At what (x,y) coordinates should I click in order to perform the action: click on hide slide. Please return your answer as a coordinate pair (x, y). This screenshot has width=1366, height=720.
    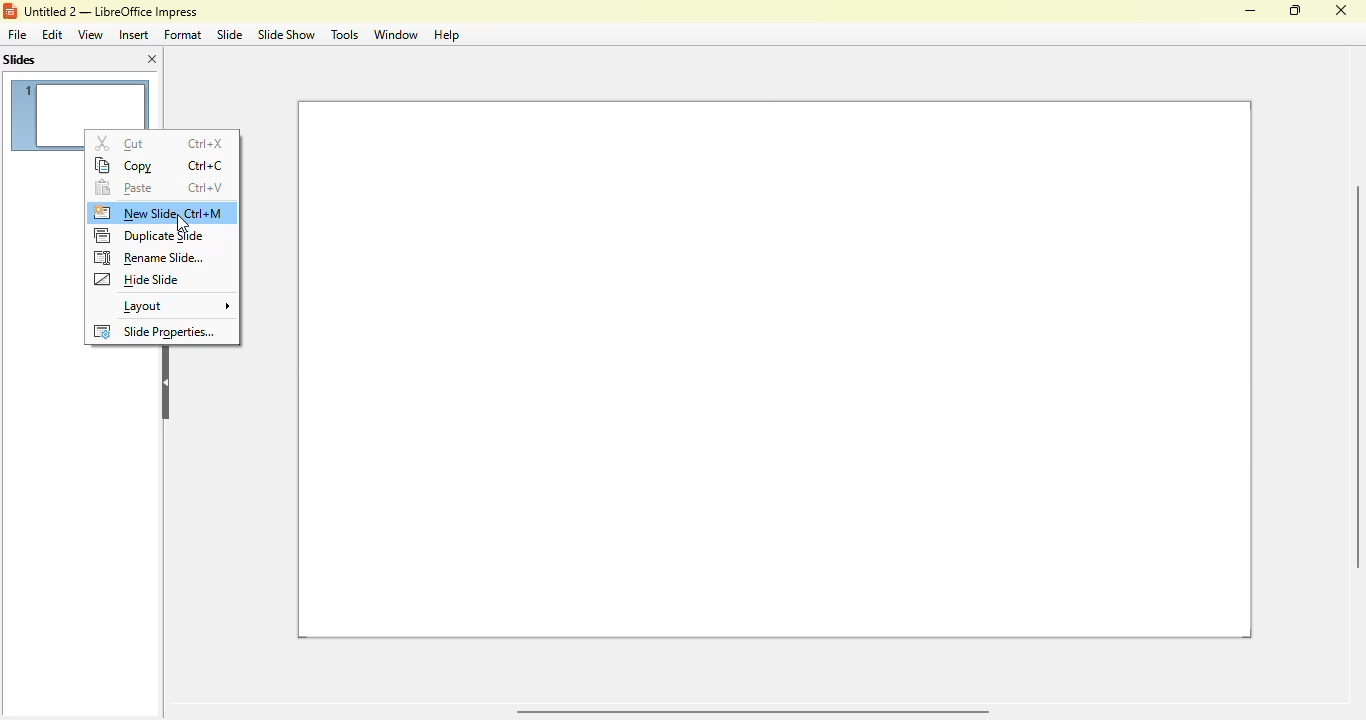
    Looking at the image, I should click on (138, 279).